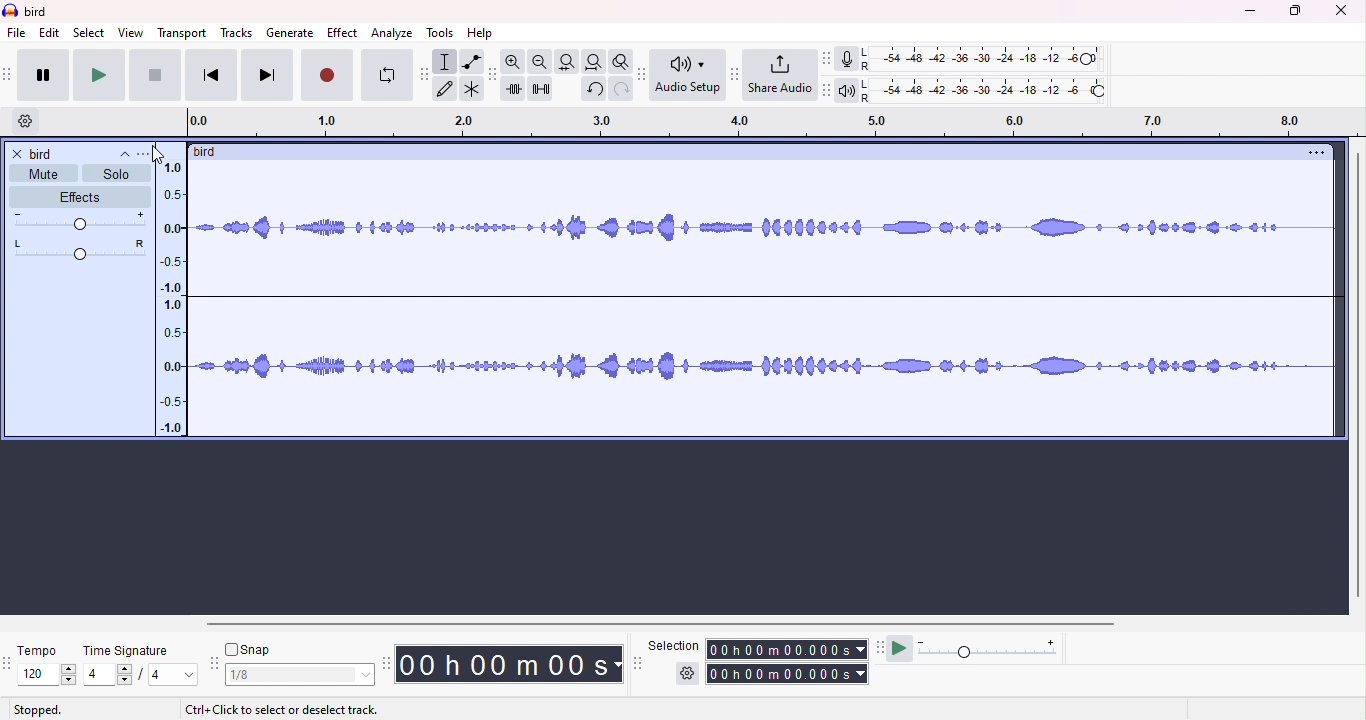 Image resolution: width=1366 pixels, height=720 pixels. Describe the element at coordinates (209, 76) in the screenshot. I see `previous` at that location.